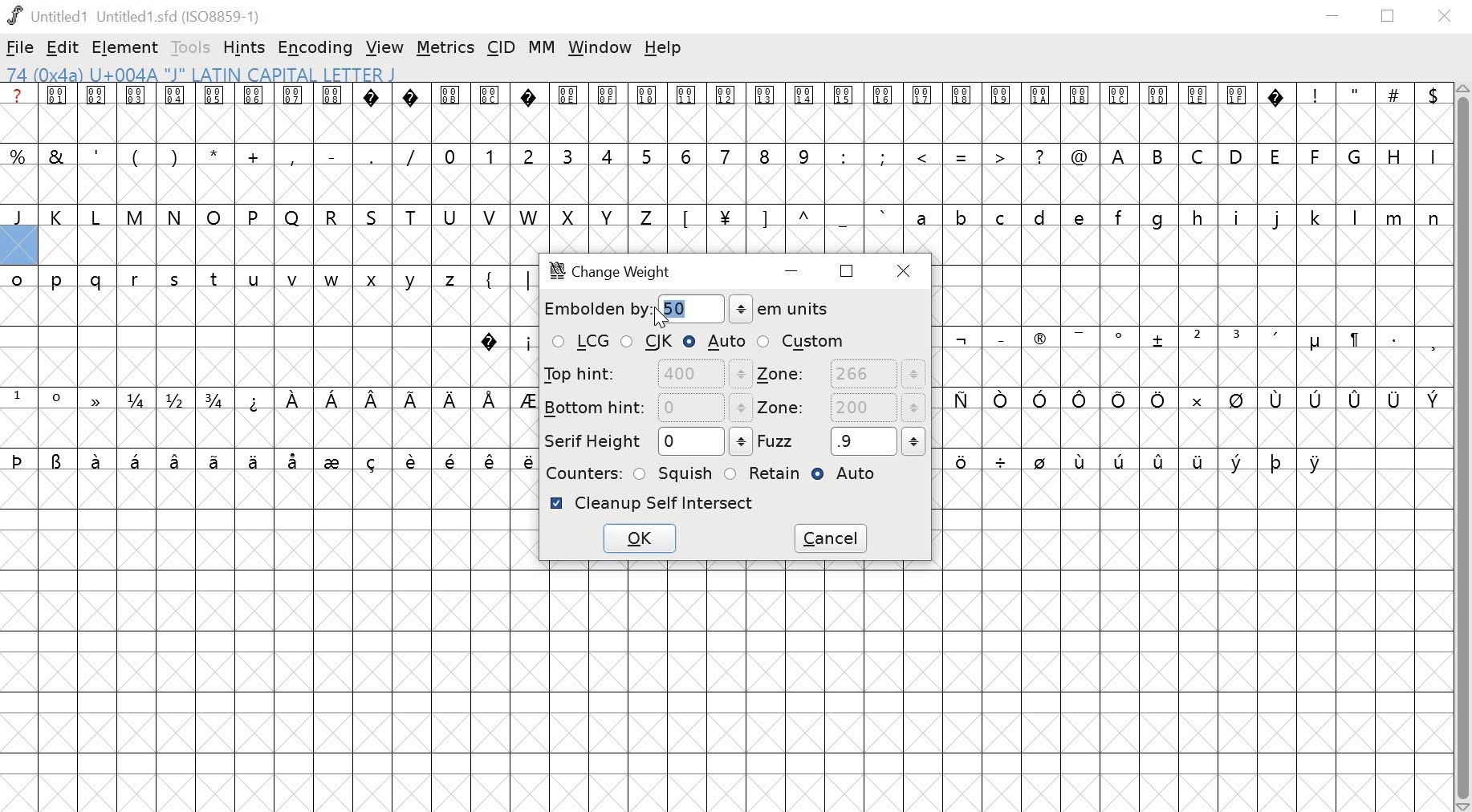 Image resolution: width=1472 pixels, height=812 pixels. What do you see at coordinates (715, 341) in the screenshot?
I see `AUTO` at bounding box center [715, 341].